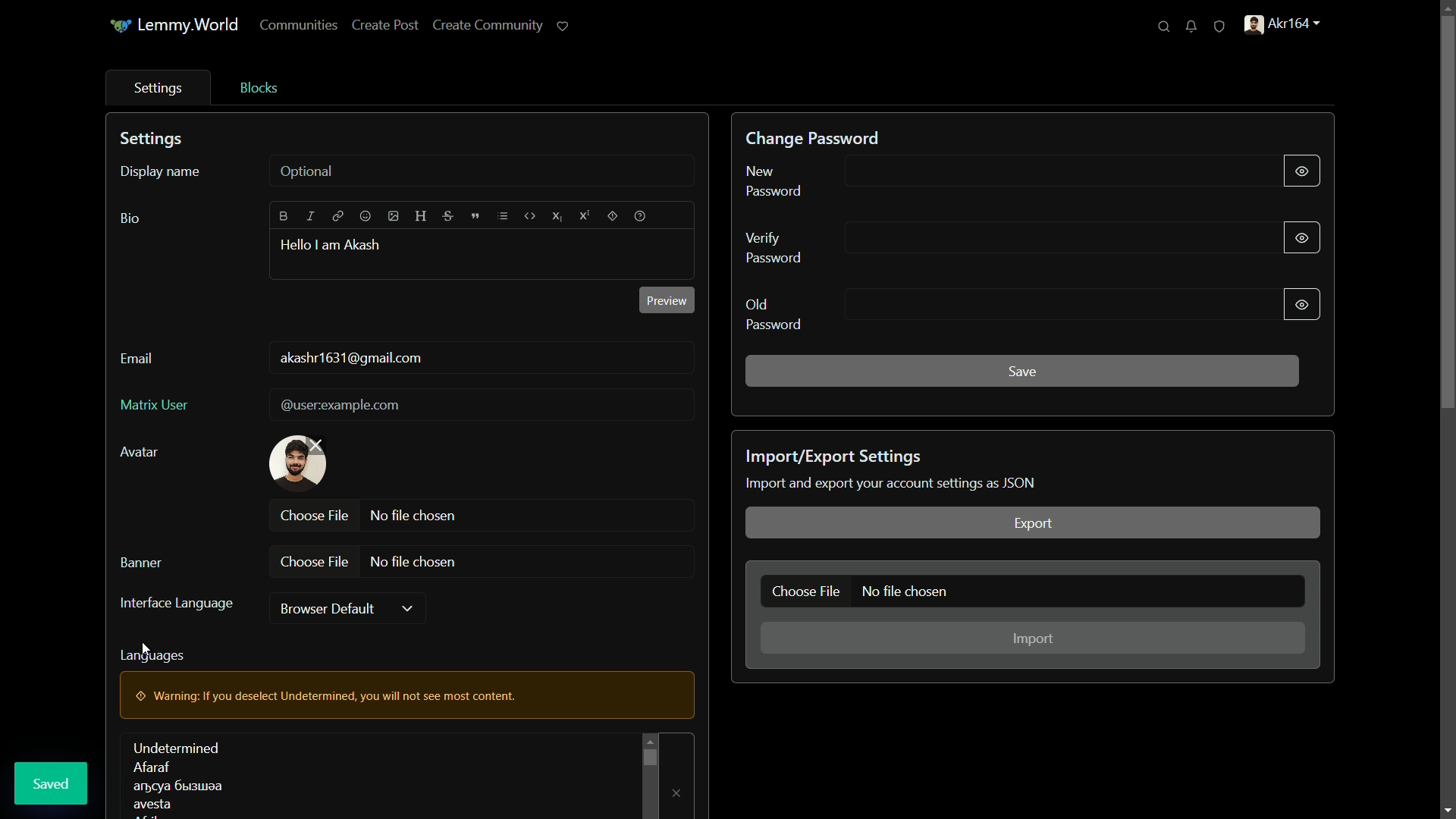 The width and height of the screenshot is (1456, 819). I want to click on matrix user, so click(155, 406).